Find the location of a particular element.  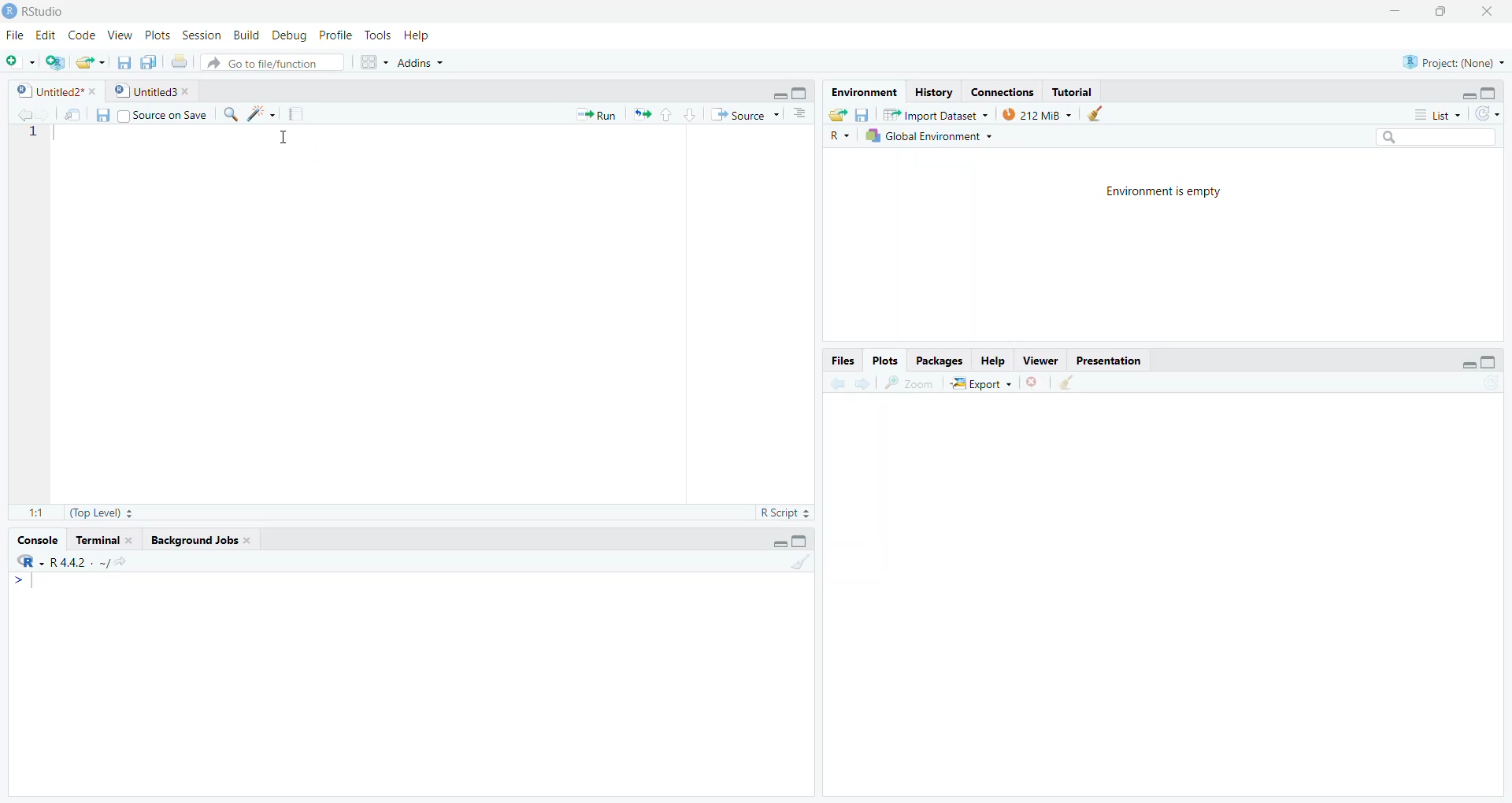

background jobs is located at coordinates (198, 543).